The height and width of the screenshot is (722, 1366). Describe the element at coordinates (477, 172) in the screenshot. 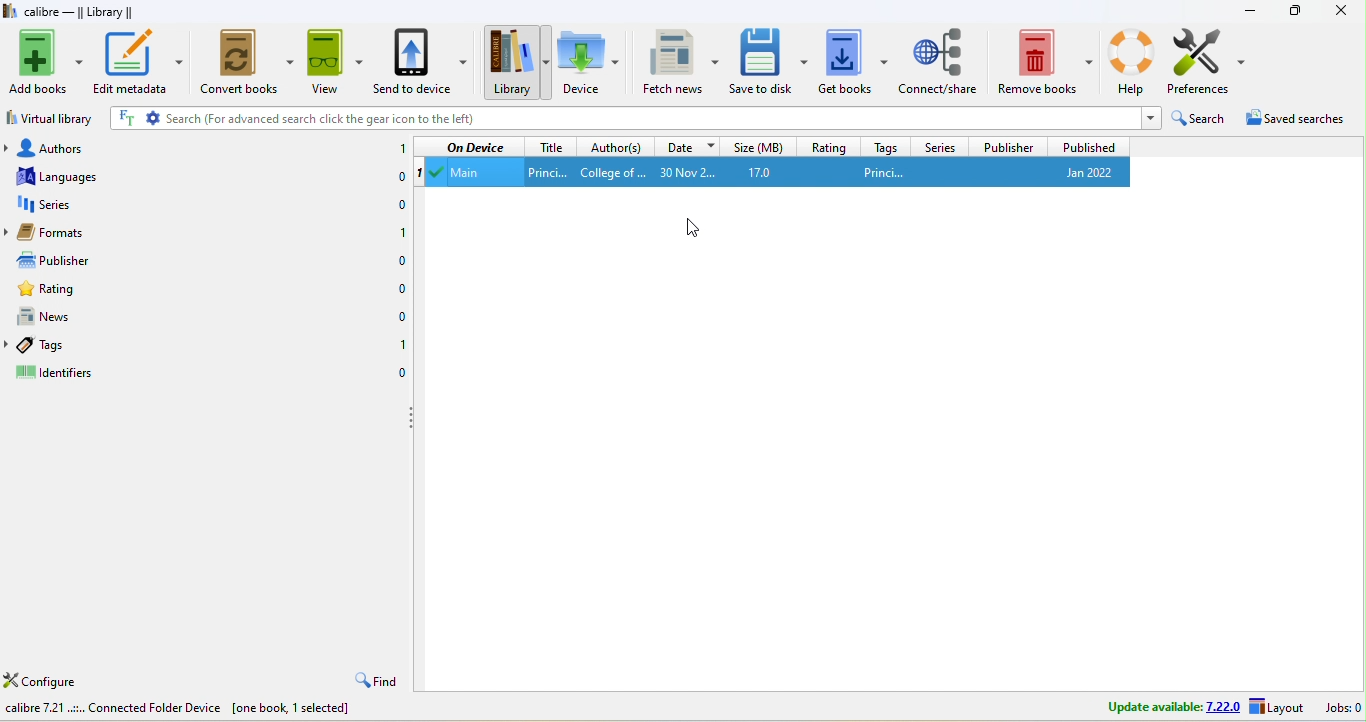

I see `main` at that location.